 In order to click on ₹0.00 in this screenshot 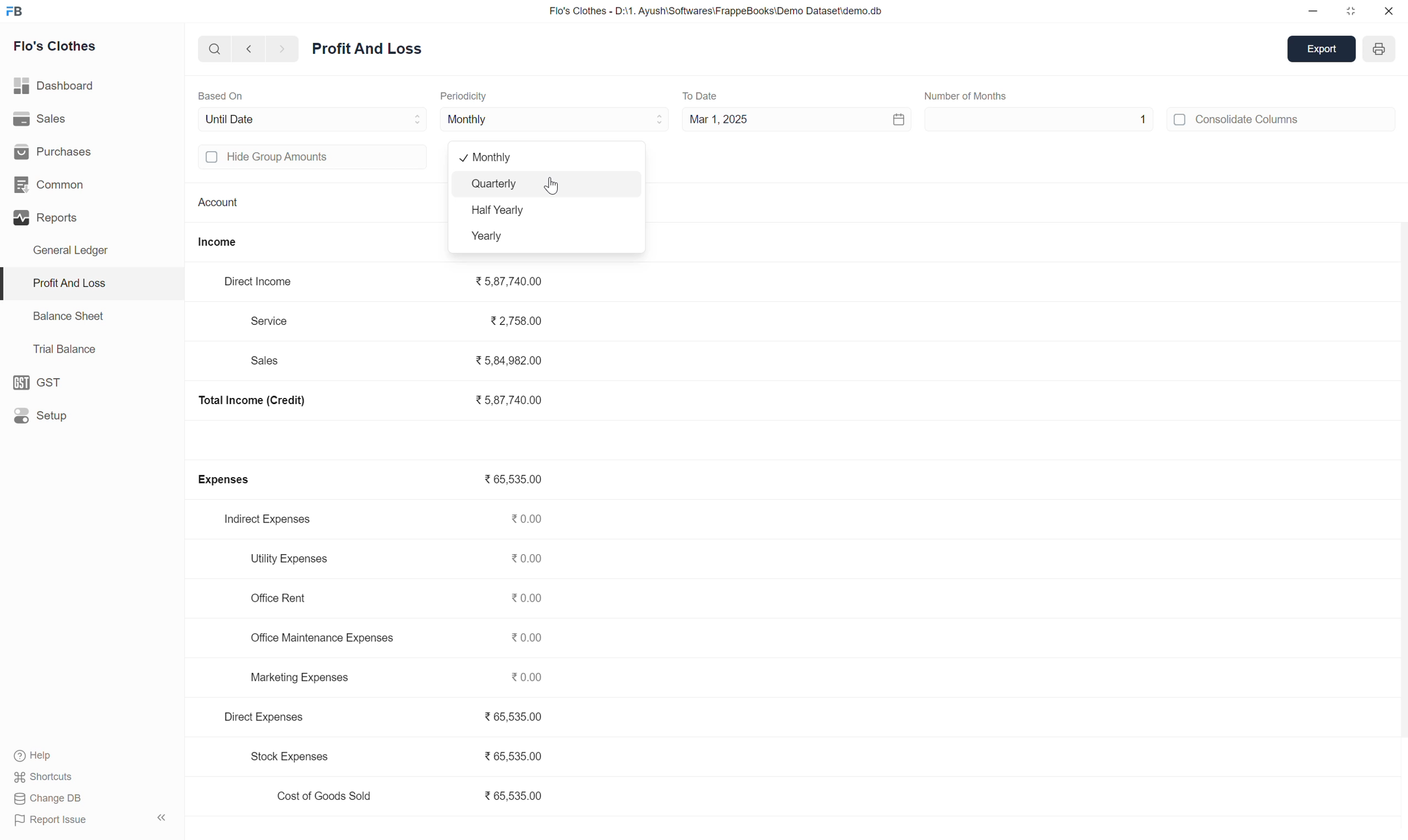, I will do `click(528, 520)`.